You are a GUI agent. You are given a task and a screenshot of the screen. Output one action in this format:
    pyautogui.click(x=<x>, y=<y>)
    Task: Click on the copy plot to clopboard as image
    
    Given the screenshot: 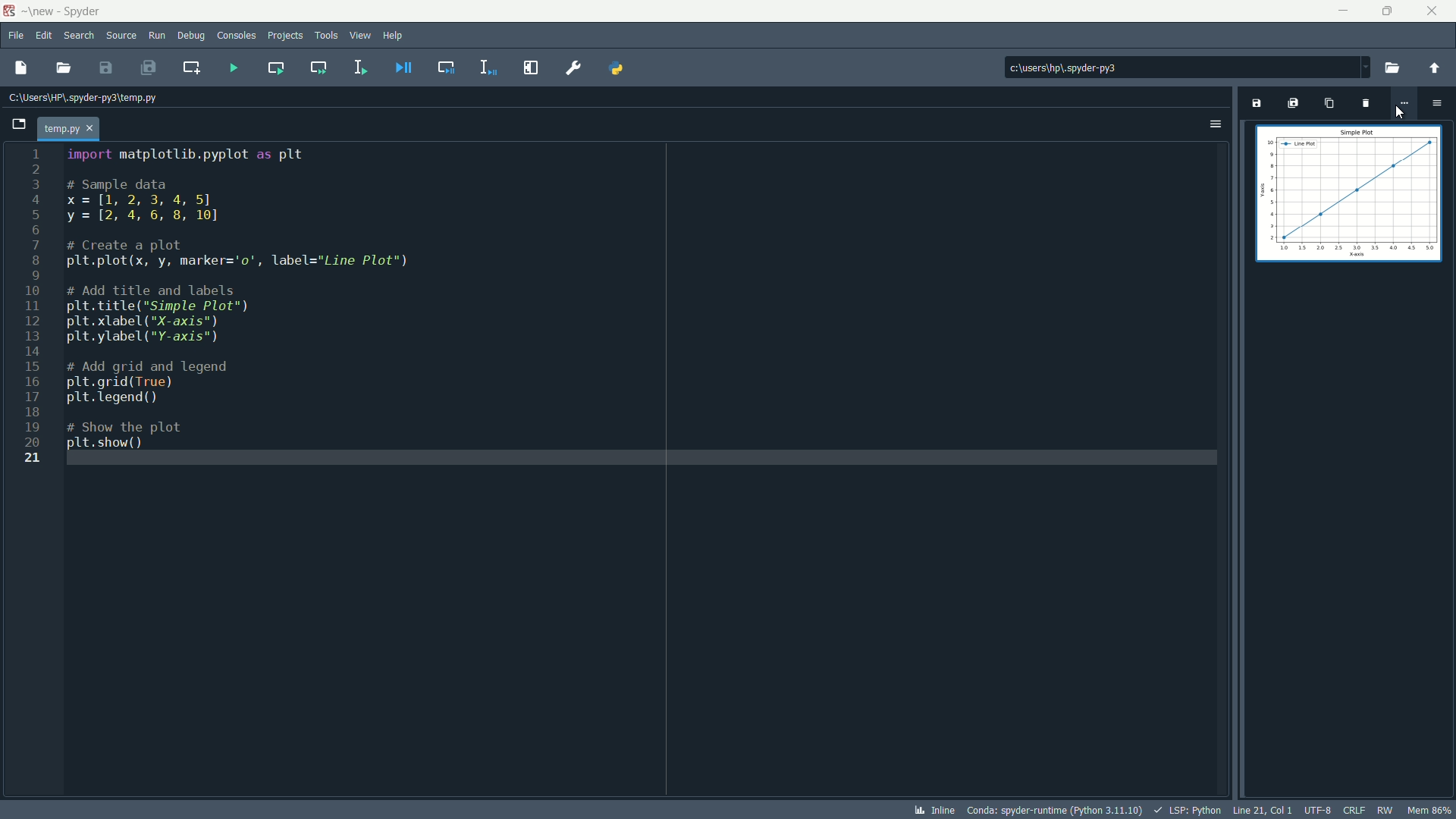 What is the action you would take?
    pyautogui.click(x=1328, y=105)
    